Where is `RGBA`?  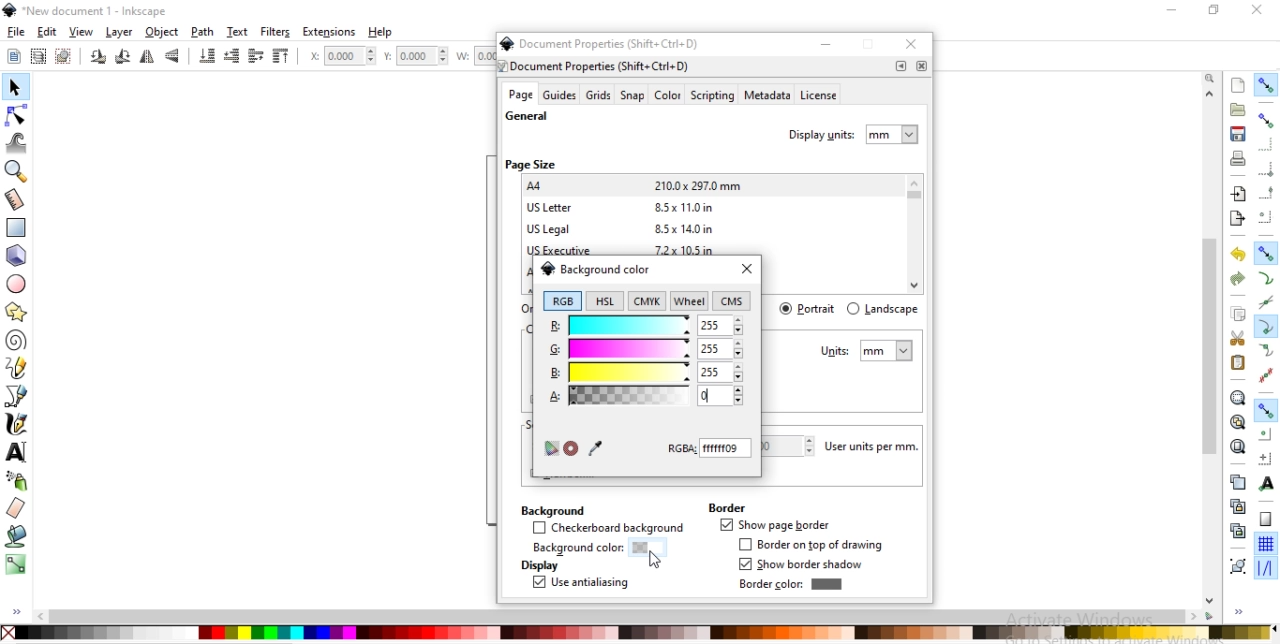 RGBA is located at coordinates (710, 448).